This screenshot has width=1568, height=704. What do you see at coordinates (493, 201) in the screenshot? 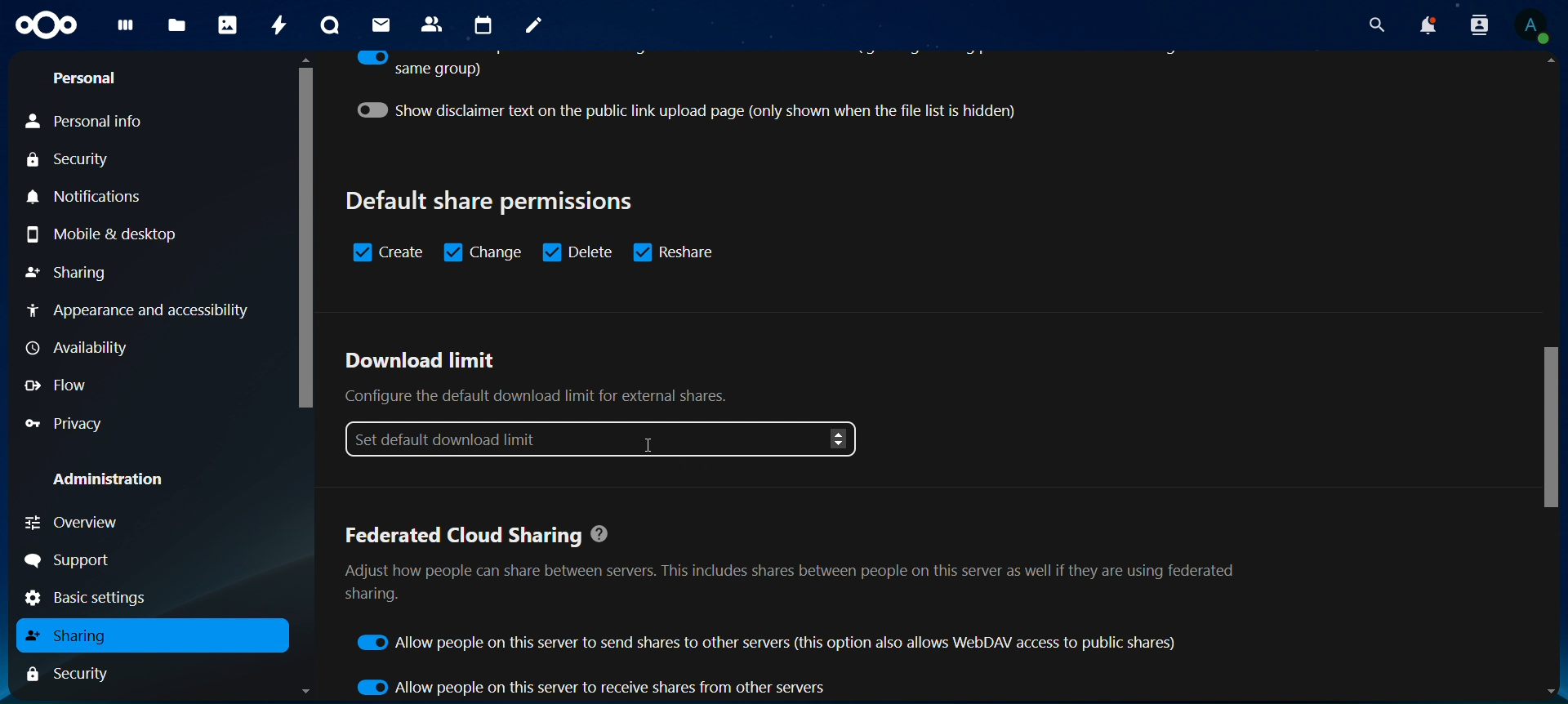
I see `default share permissions` at bounding box center [493, 201].